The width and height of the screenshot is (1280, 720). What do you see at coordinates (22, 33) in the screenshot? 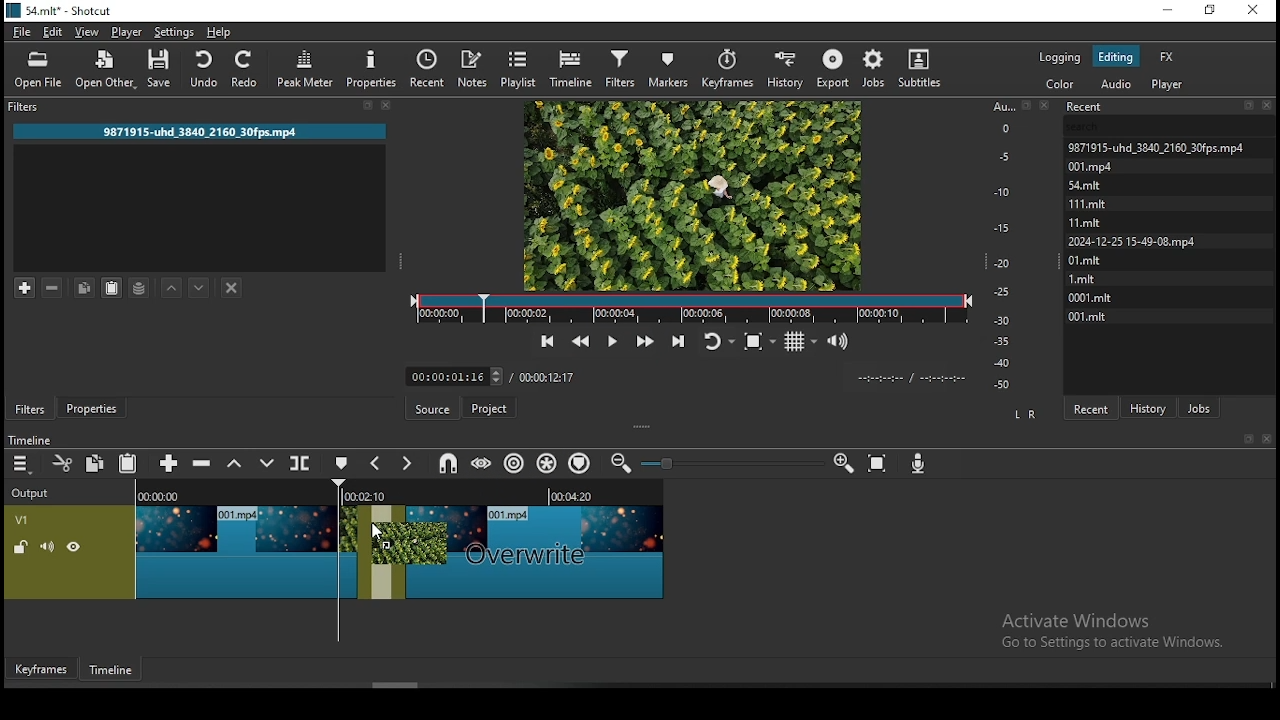
I see `file` at bounding box center [22, 33].